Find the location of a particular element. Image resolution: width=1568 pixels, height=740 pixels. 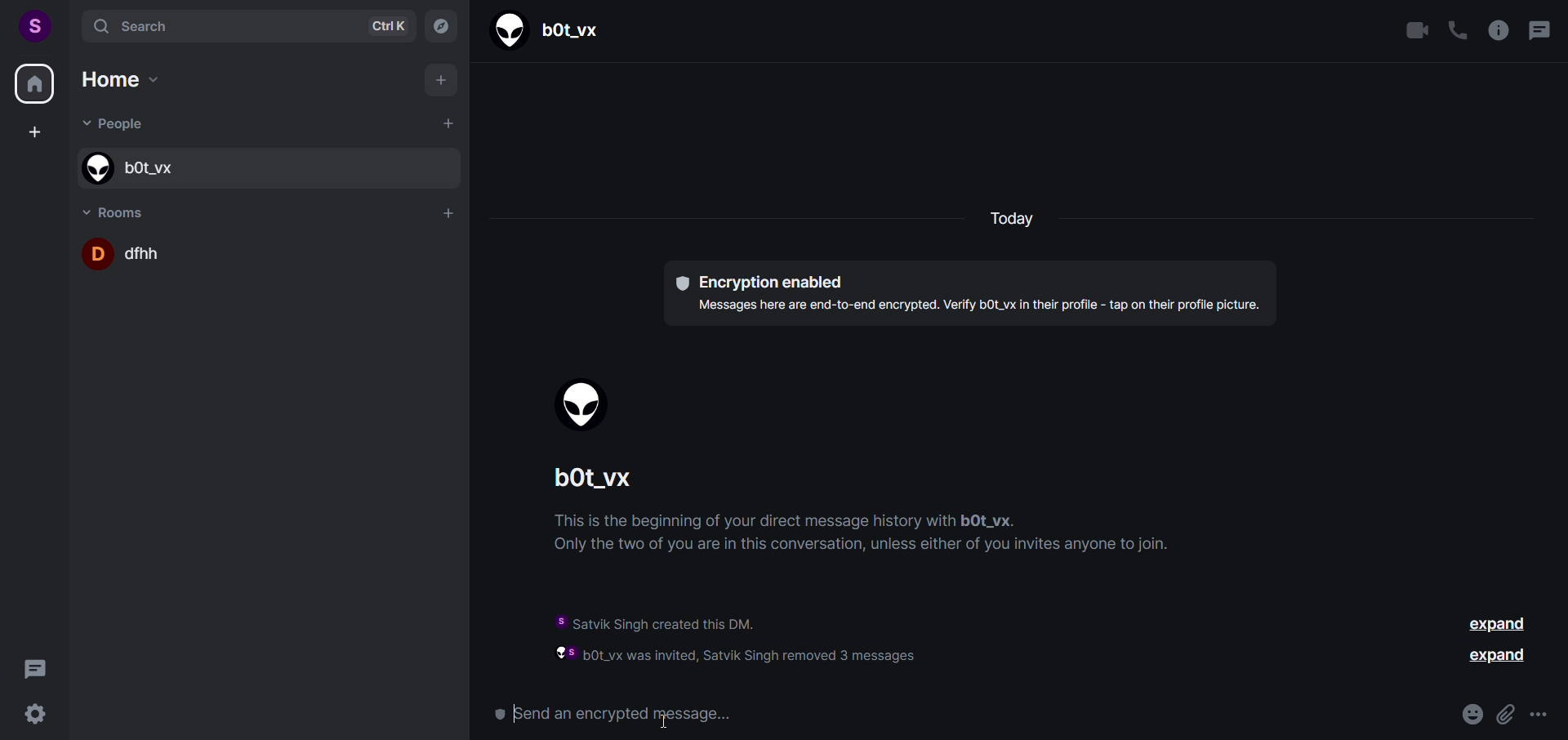

room is located at coordinates (119, 210).